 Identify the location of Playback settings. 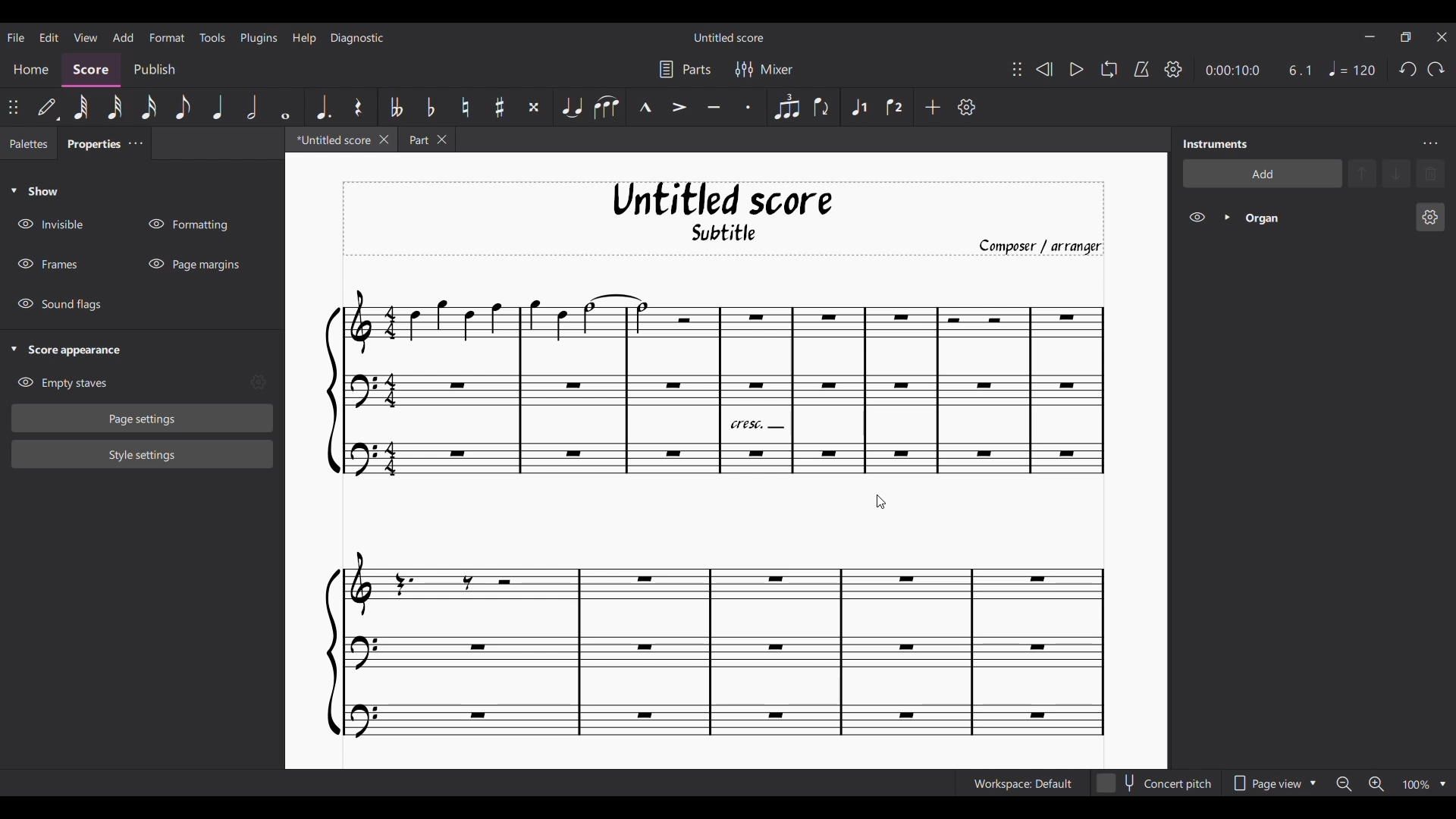
(1173, 68).